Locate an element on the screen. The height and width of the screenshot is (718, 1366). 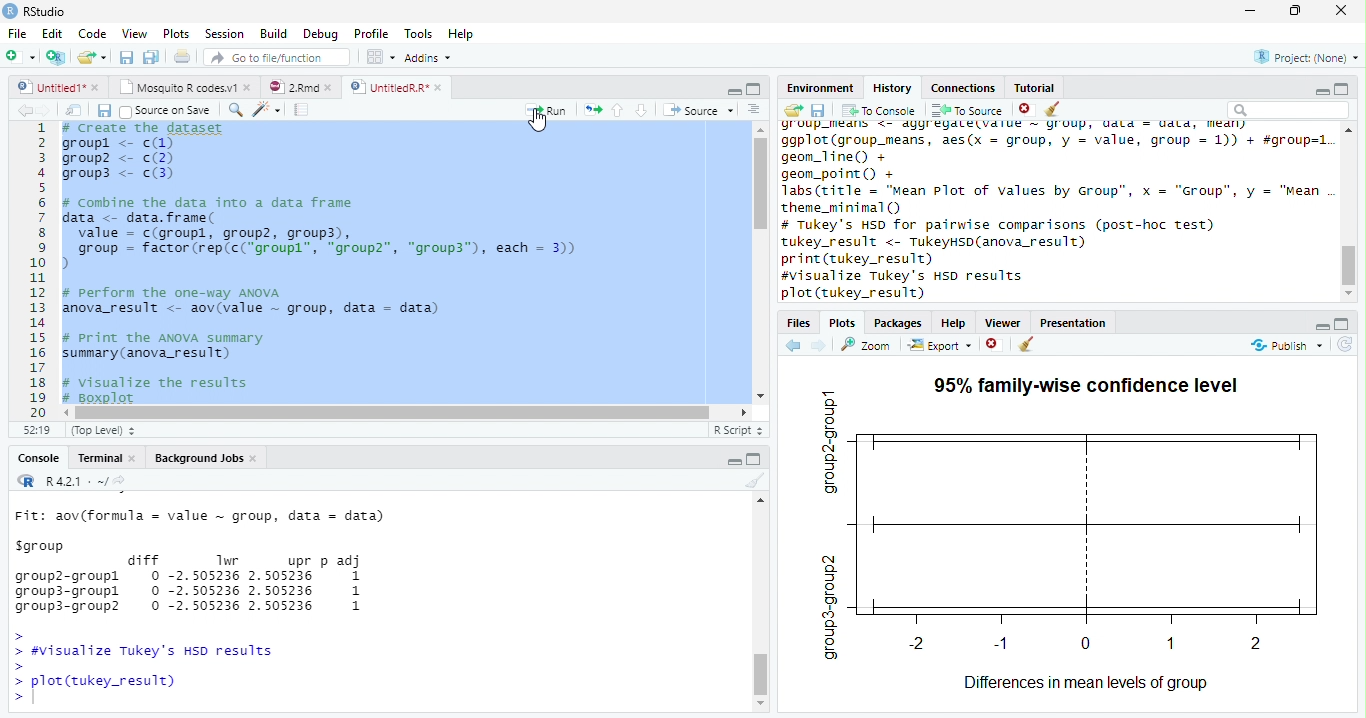
Code is located at coordinates (90, 34).